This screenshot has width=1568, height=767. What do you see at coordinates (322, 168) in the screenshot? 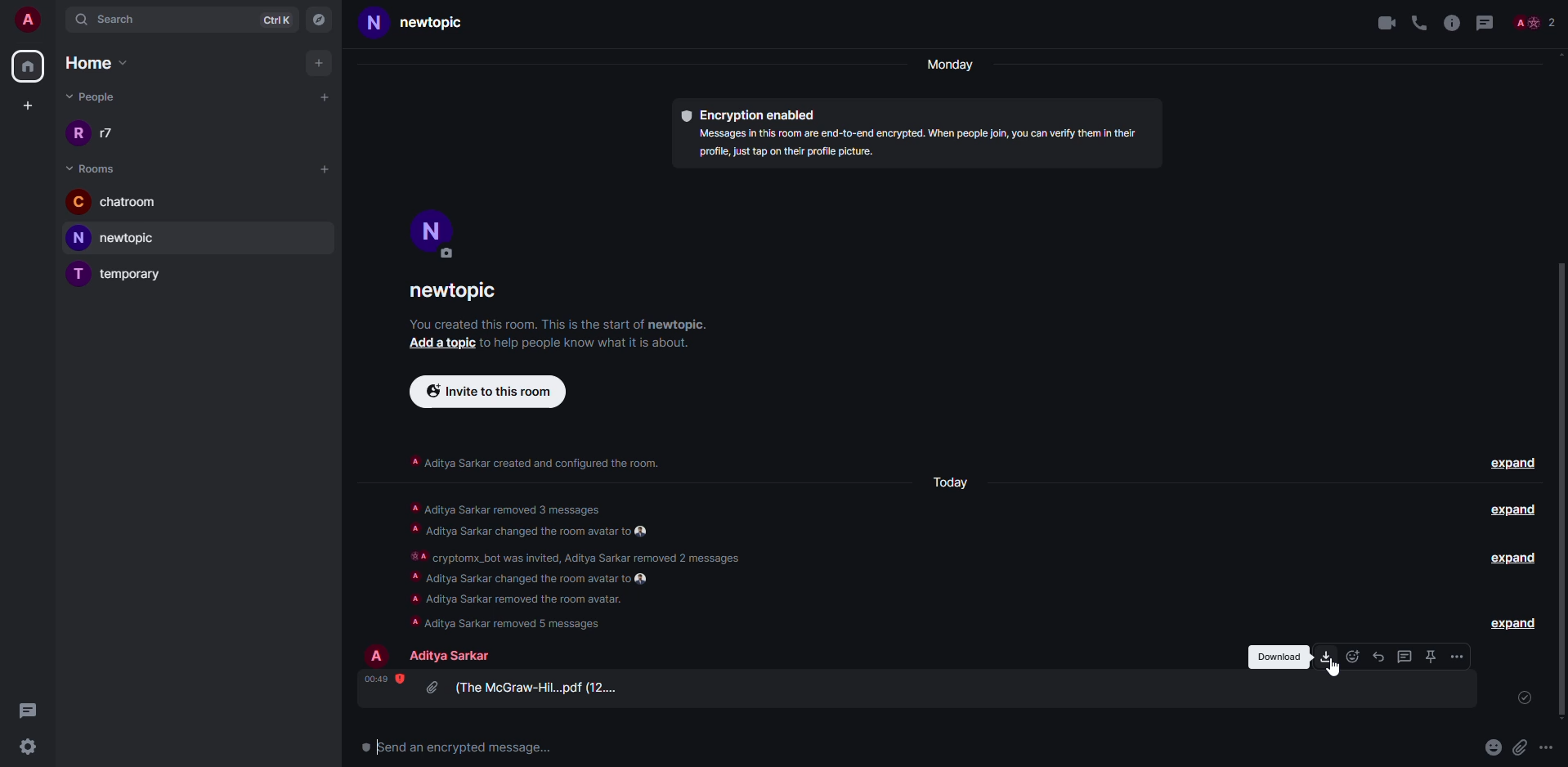
I see `add` at bounding box center [322, 168].